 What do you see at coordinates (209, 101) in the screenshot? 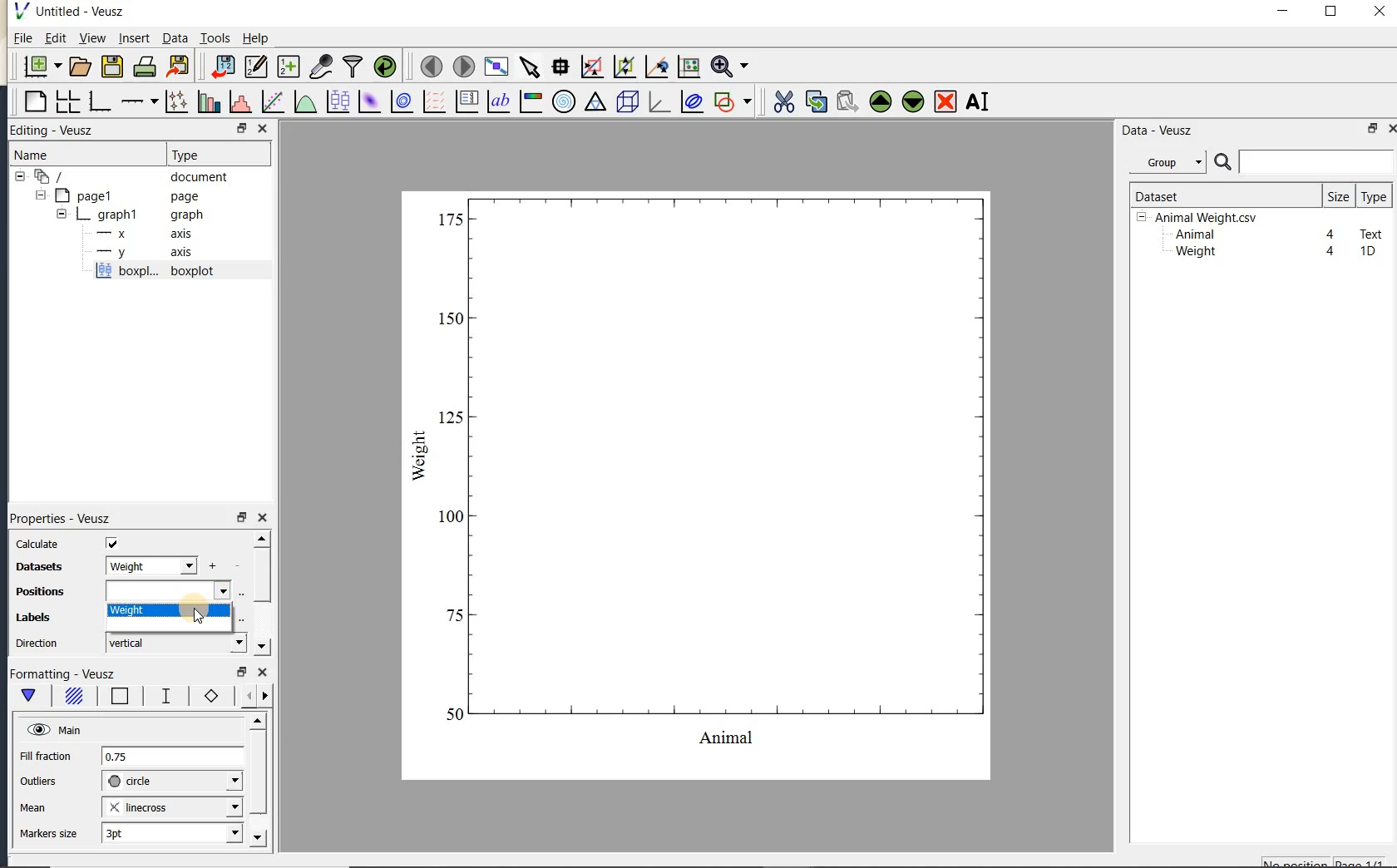
I see `plot bar charts` at bounding box center [209, 101].